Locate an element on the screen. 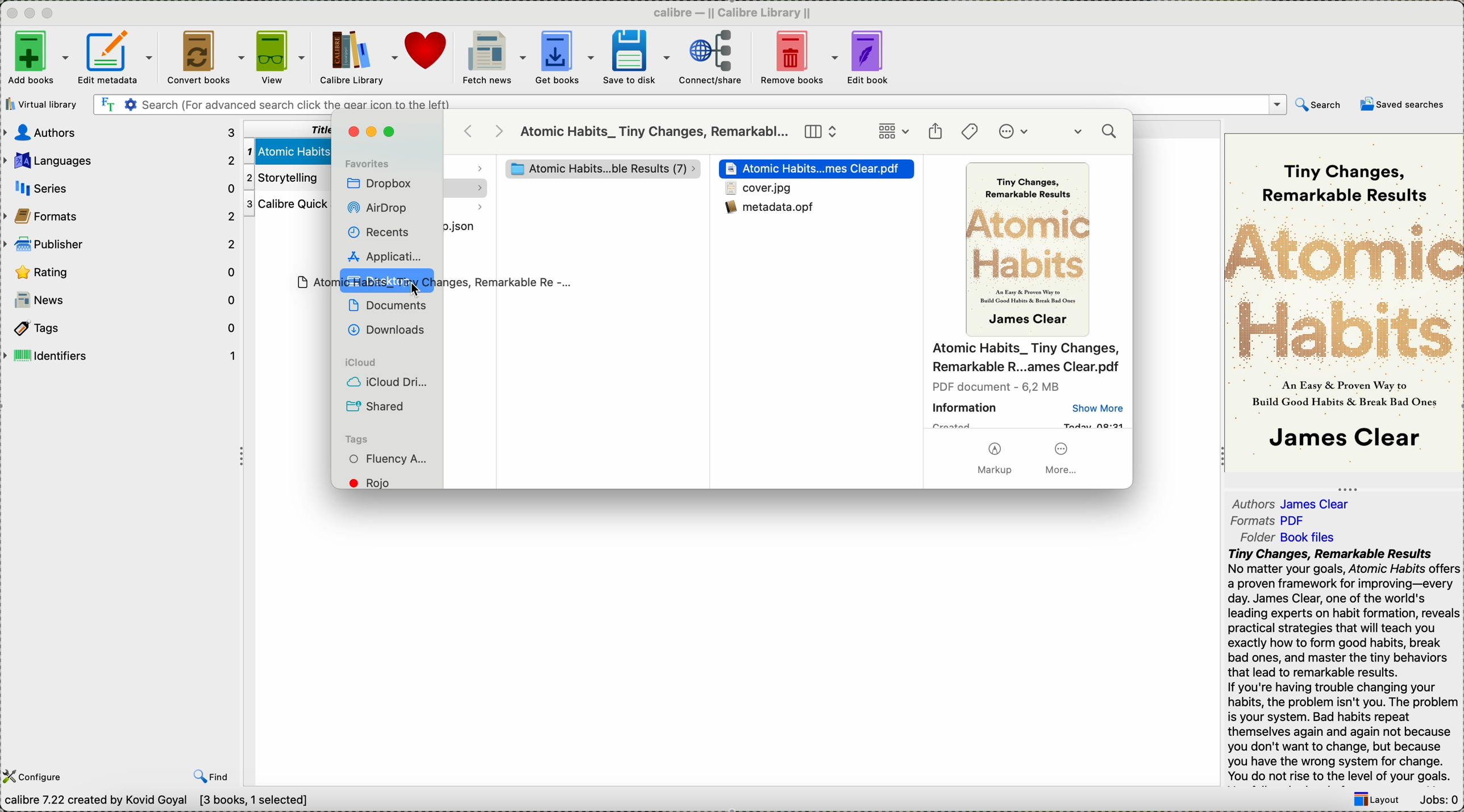  summary is located at coordinates (1343, 666).